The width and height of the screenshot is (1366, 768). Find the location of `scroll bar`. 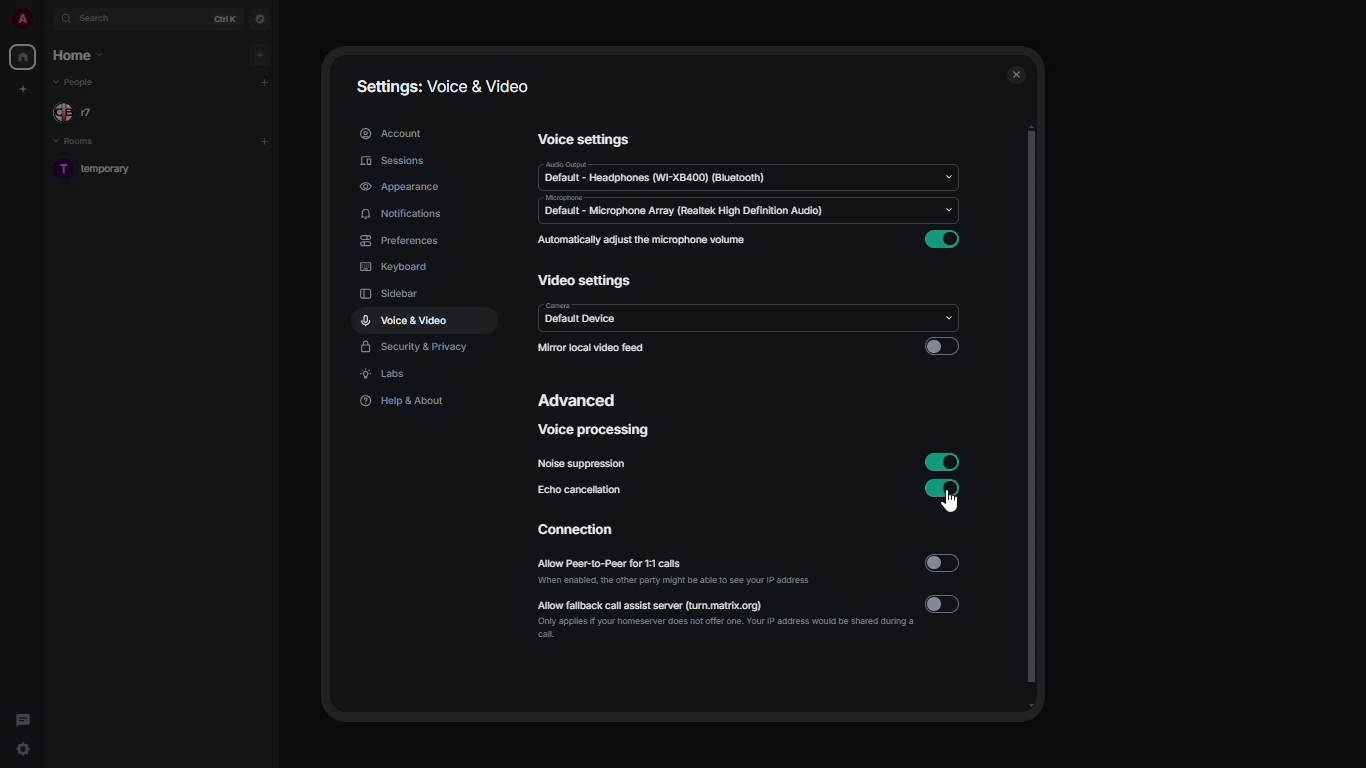

scroll bar is located at coordinates (1034, 418).